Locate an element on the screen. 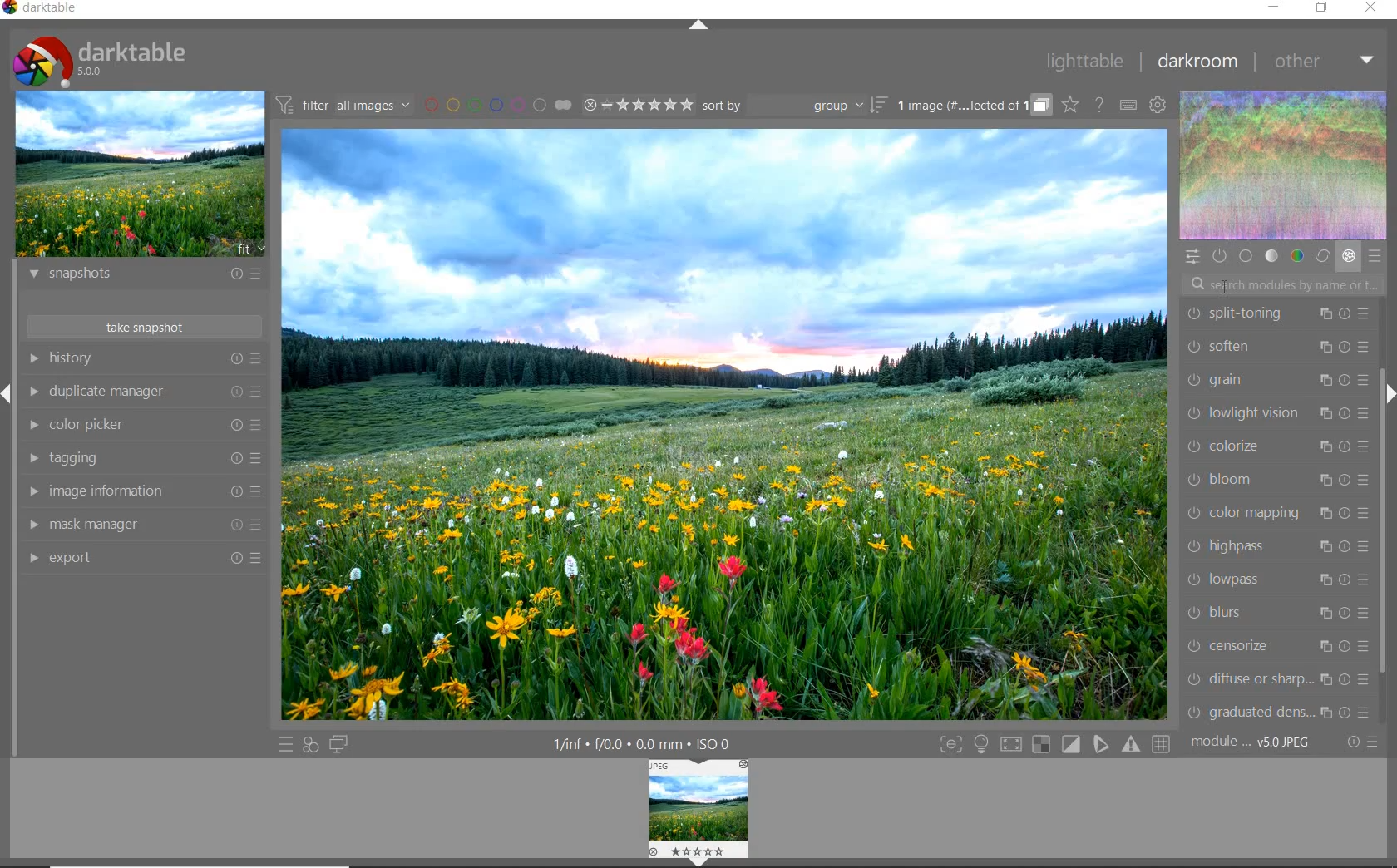 This screenshot has width=1397, height=868. mask manager is located at coordinates (143, 523).